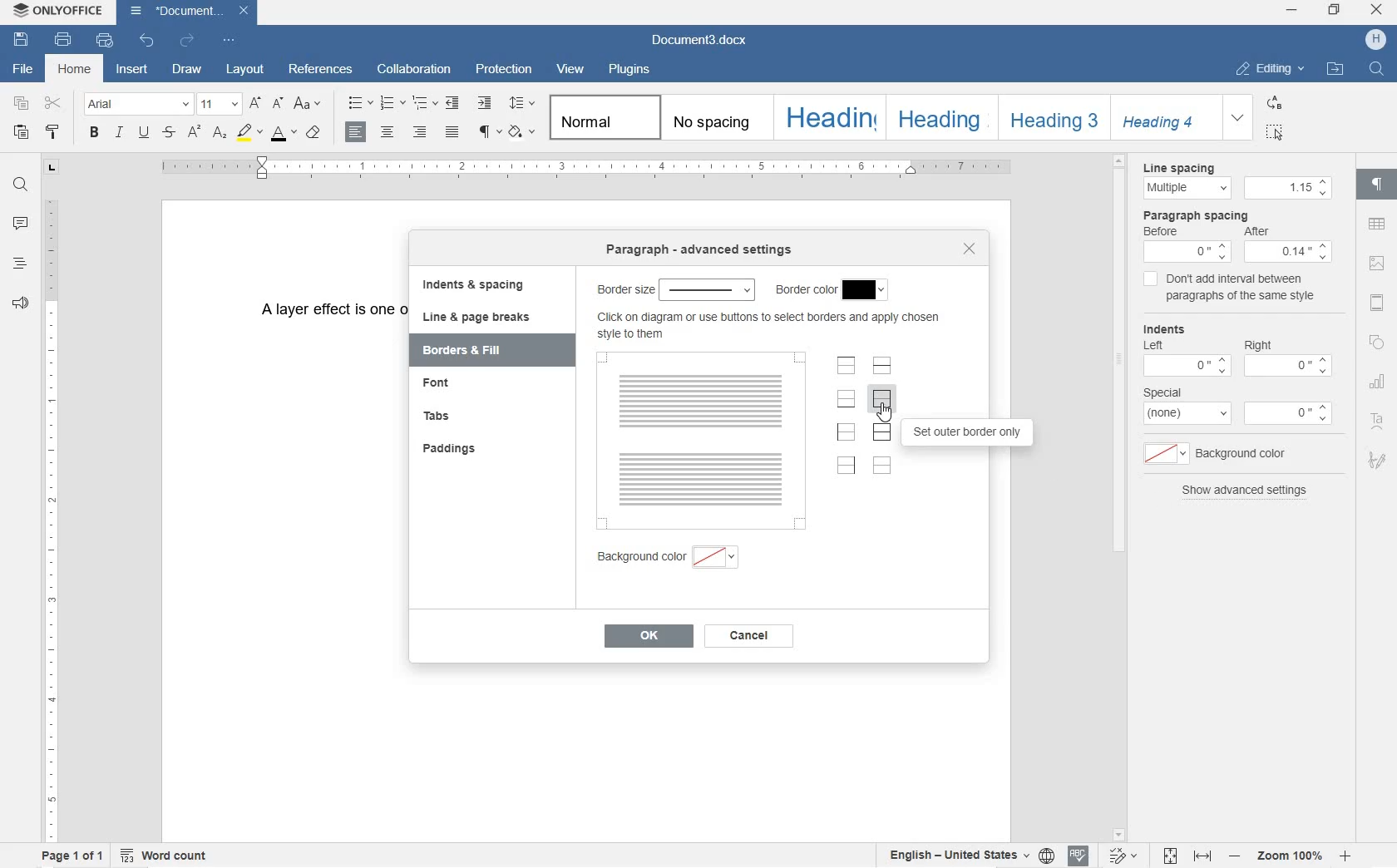 The height and width of the screenshot is (868, 1397). Describe the element at coordinates (1079, 856) in the screenshot. I see `SPELL CHECKING` at that location.